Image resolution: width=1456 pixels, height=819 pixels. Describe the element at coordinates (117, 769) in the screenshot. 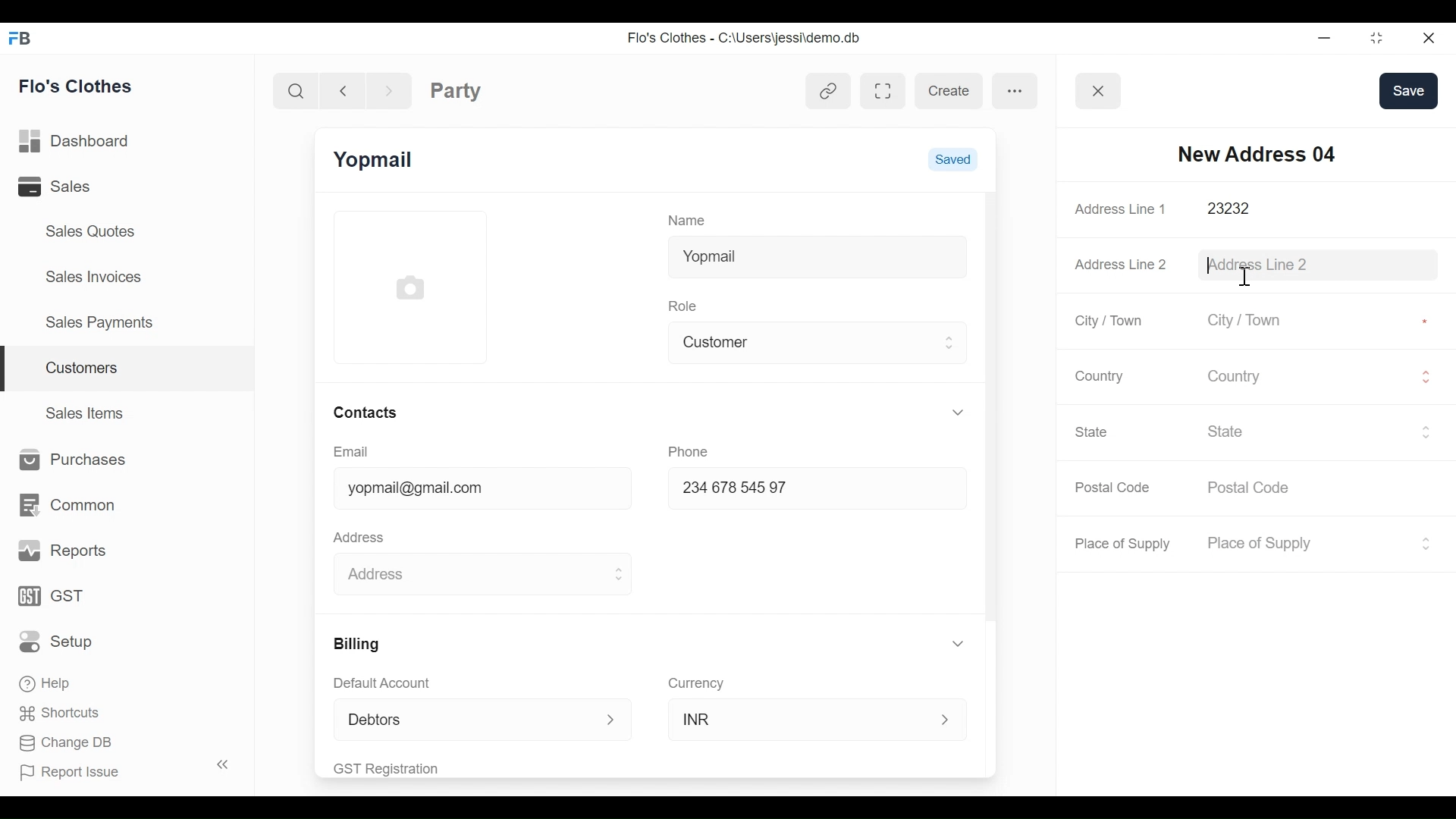

I see `Report Issue` at that location.